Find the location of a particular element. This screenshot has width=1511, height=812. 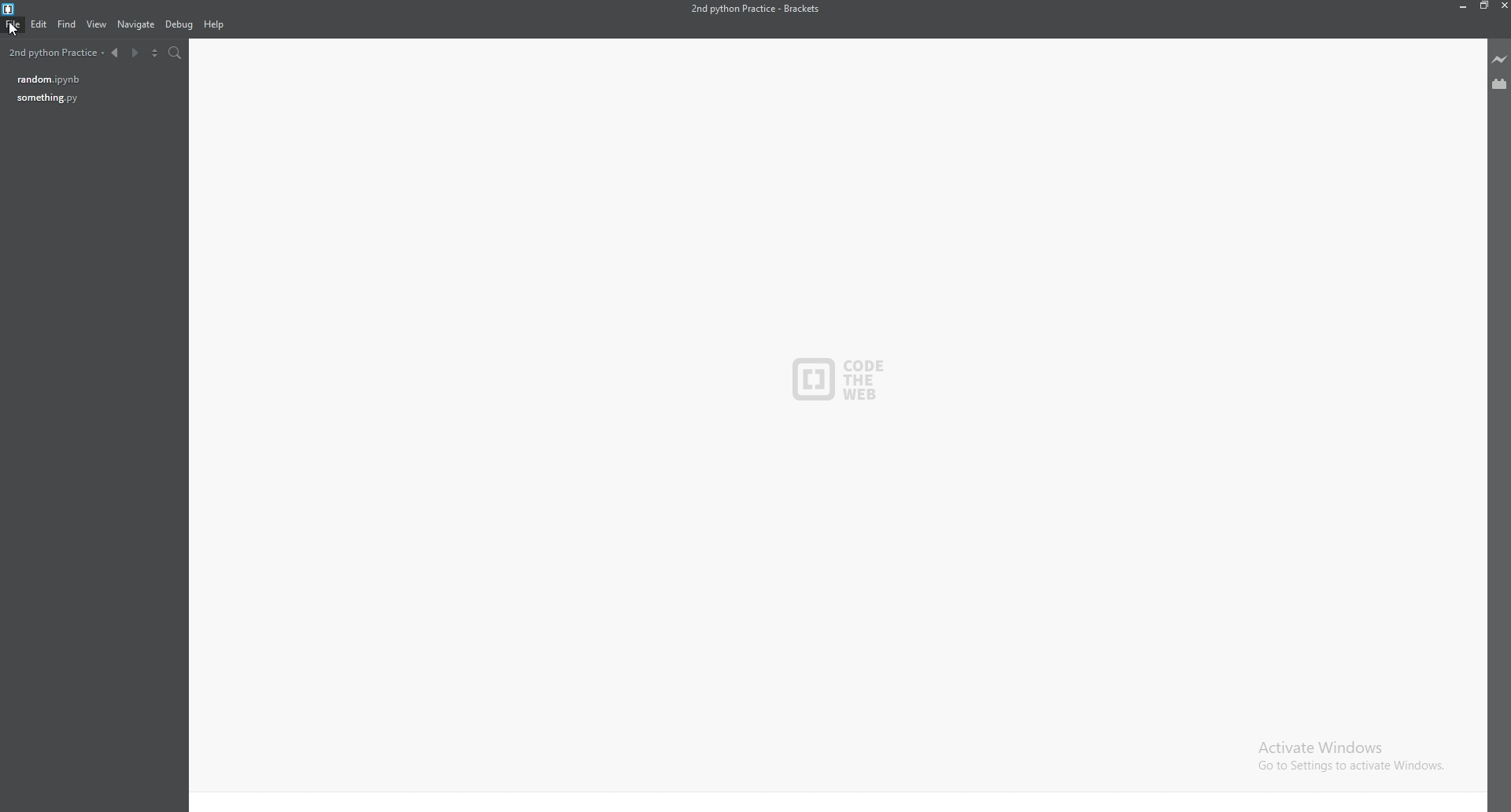

CODE THE WEB - logo is located at coordinates (839, 380).